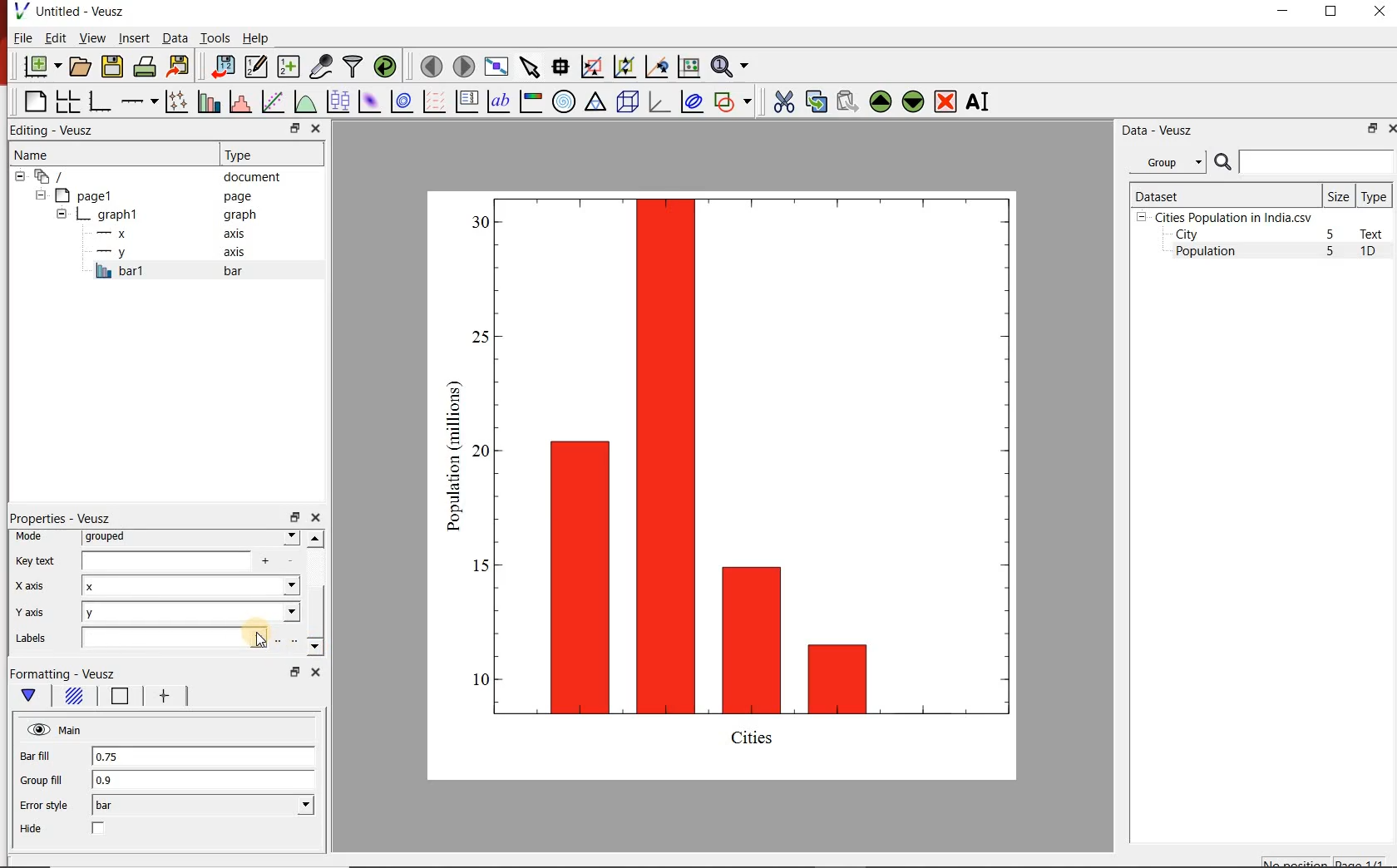 The height and width of the screenshot is (868, 1397). I want to click on input field, so click(173, 639).